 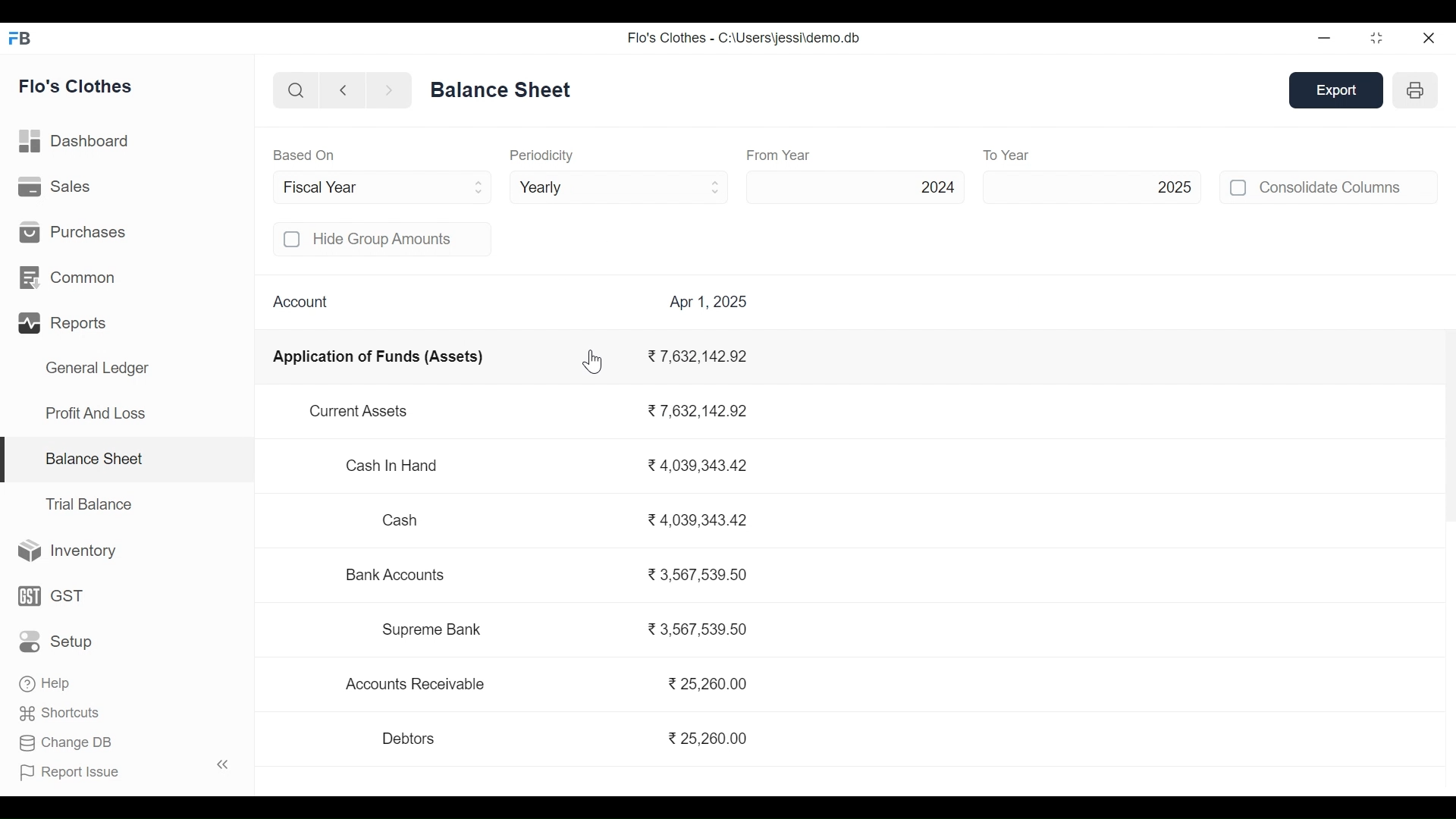 What do you see at coordinates (304, 155) in the screenshot?
I see `Based On` at bounding box center [304, 155].